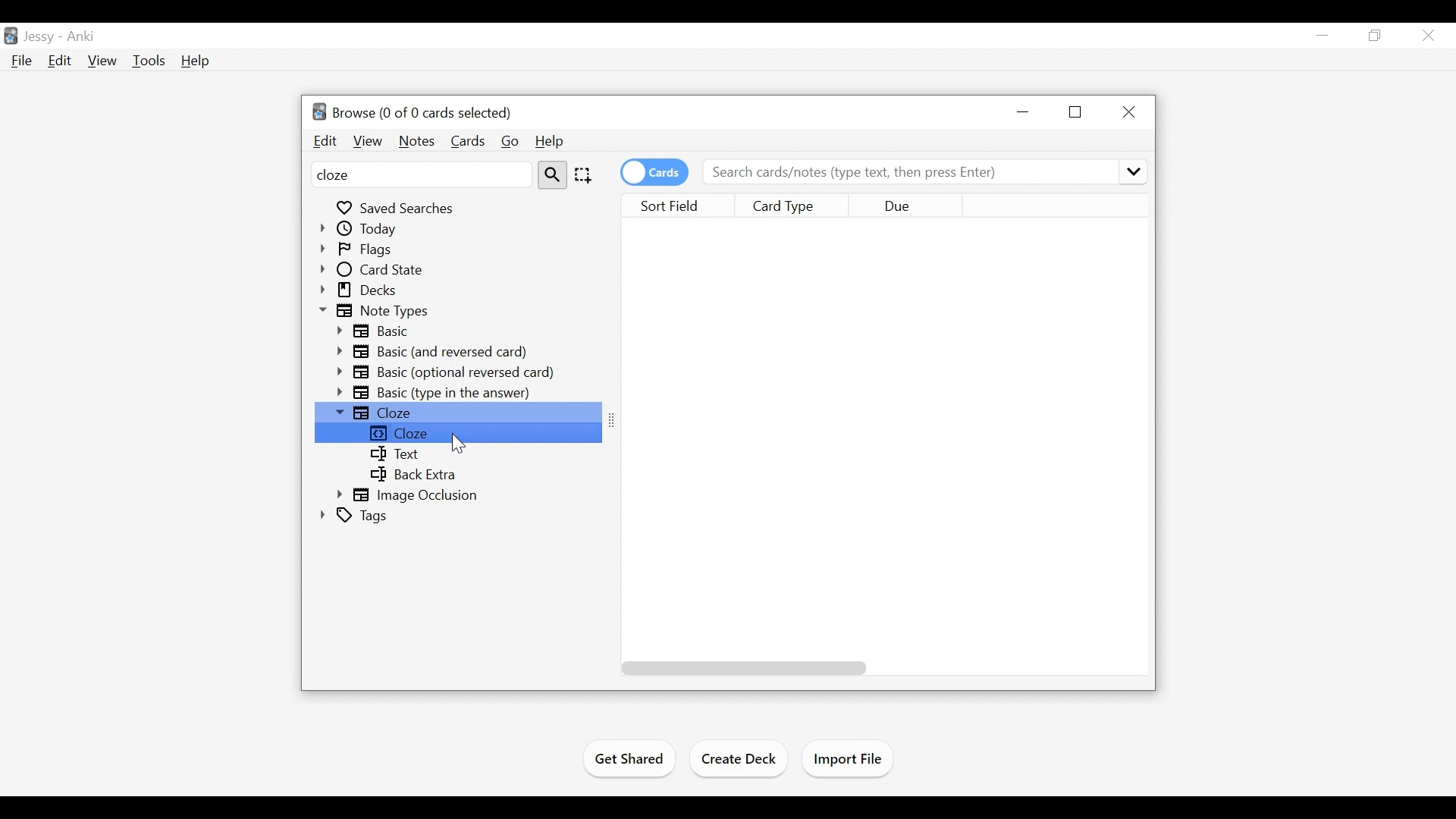 Image resolution: width=1456 pixels, height=819 pixels. I want to click on Tools, so click(149, 60).